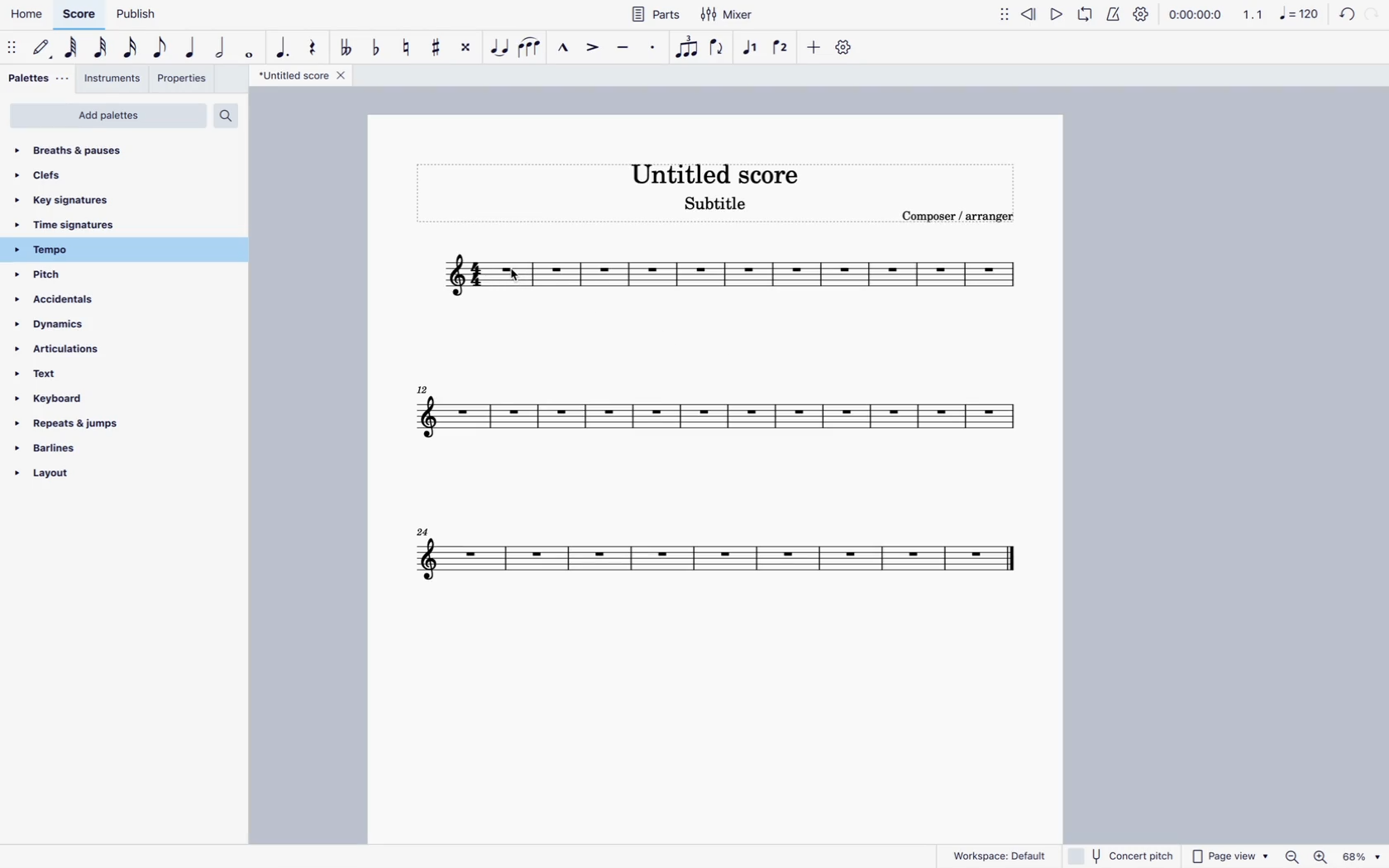 The height and width of the screenshot is (868, 1389). I want to click on toggle double sharp, so click(468, 46).